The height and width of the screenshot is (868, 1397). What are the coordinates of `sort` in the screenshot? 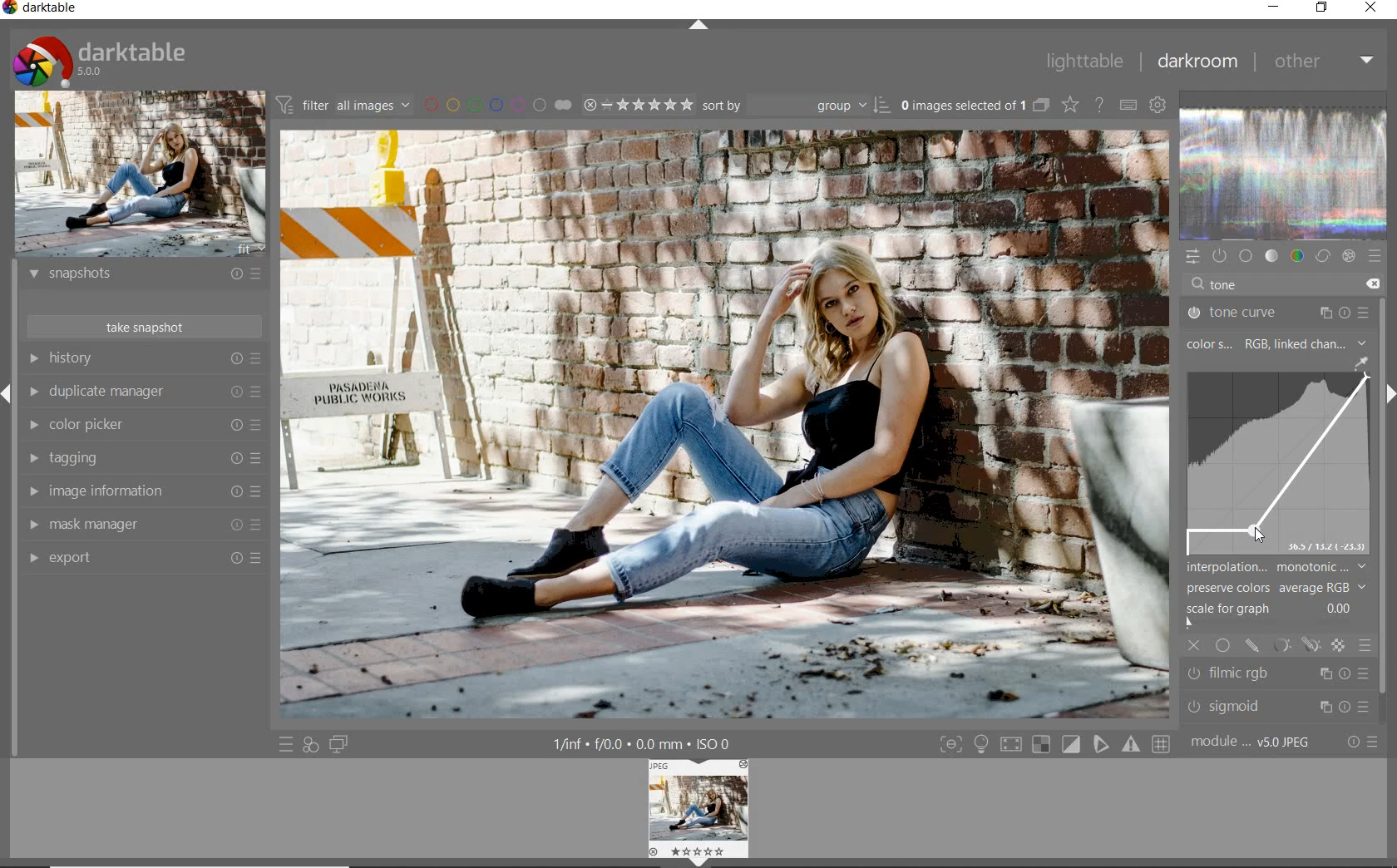 It's located at (797, 108).